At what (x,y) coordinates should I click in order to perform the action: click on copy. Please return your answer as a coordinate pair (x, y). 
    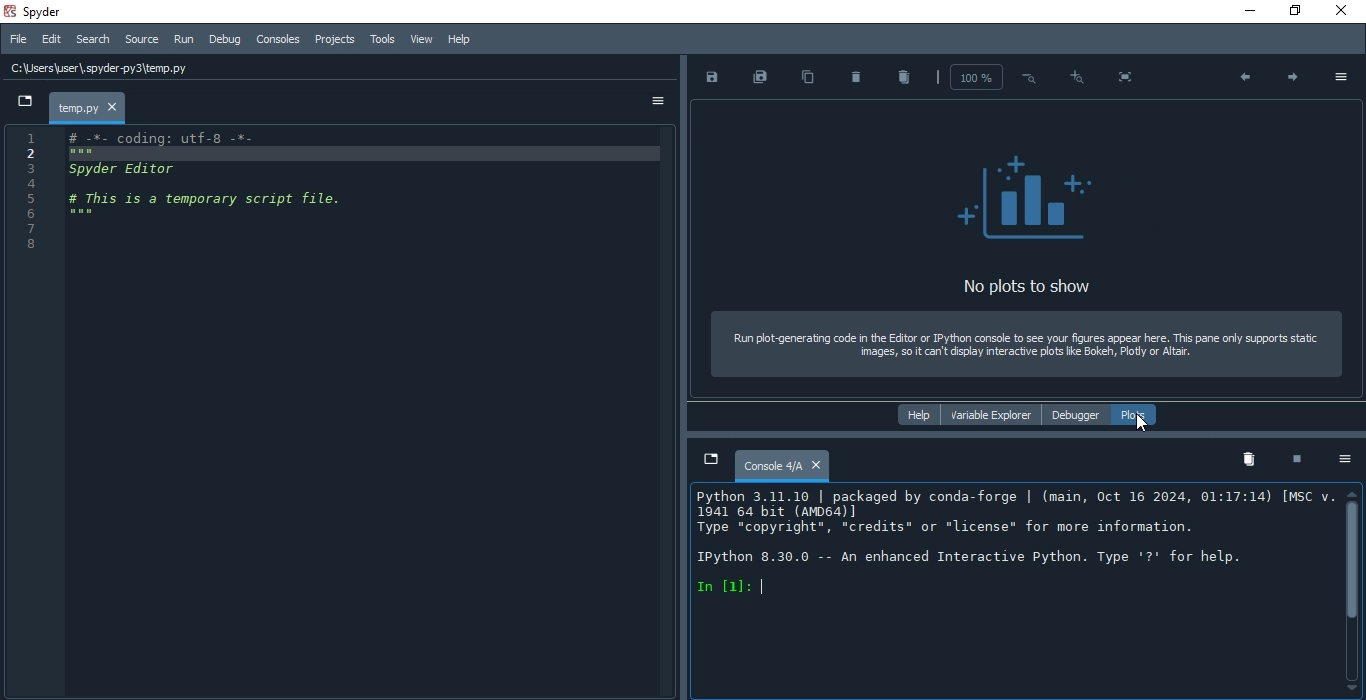
    Looking at the image, I should click on (809, 80).